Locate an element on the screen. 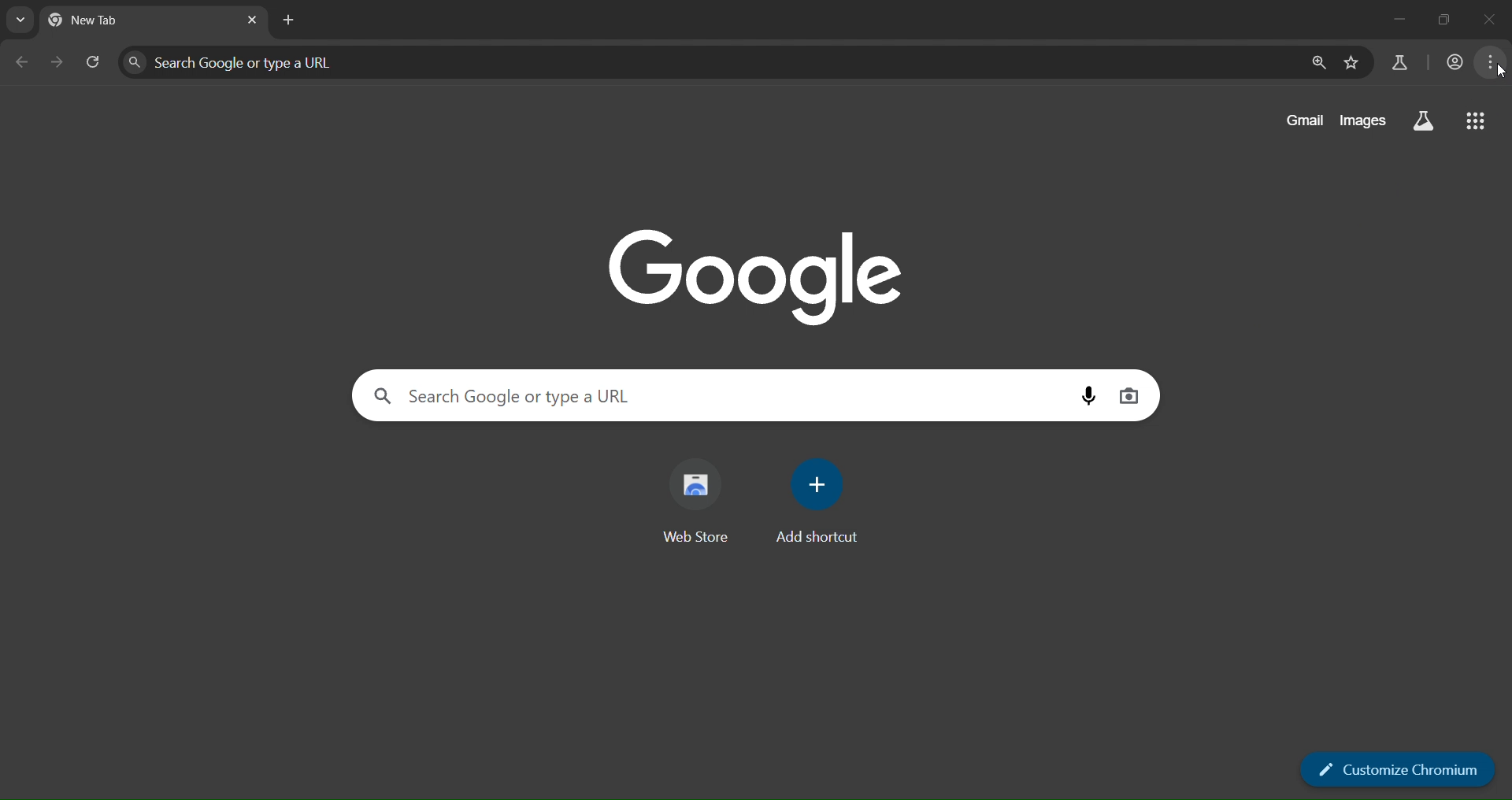 This screenshot has width=1512, height=800. Search Google or type a URL is located at coordinates (717, 61).